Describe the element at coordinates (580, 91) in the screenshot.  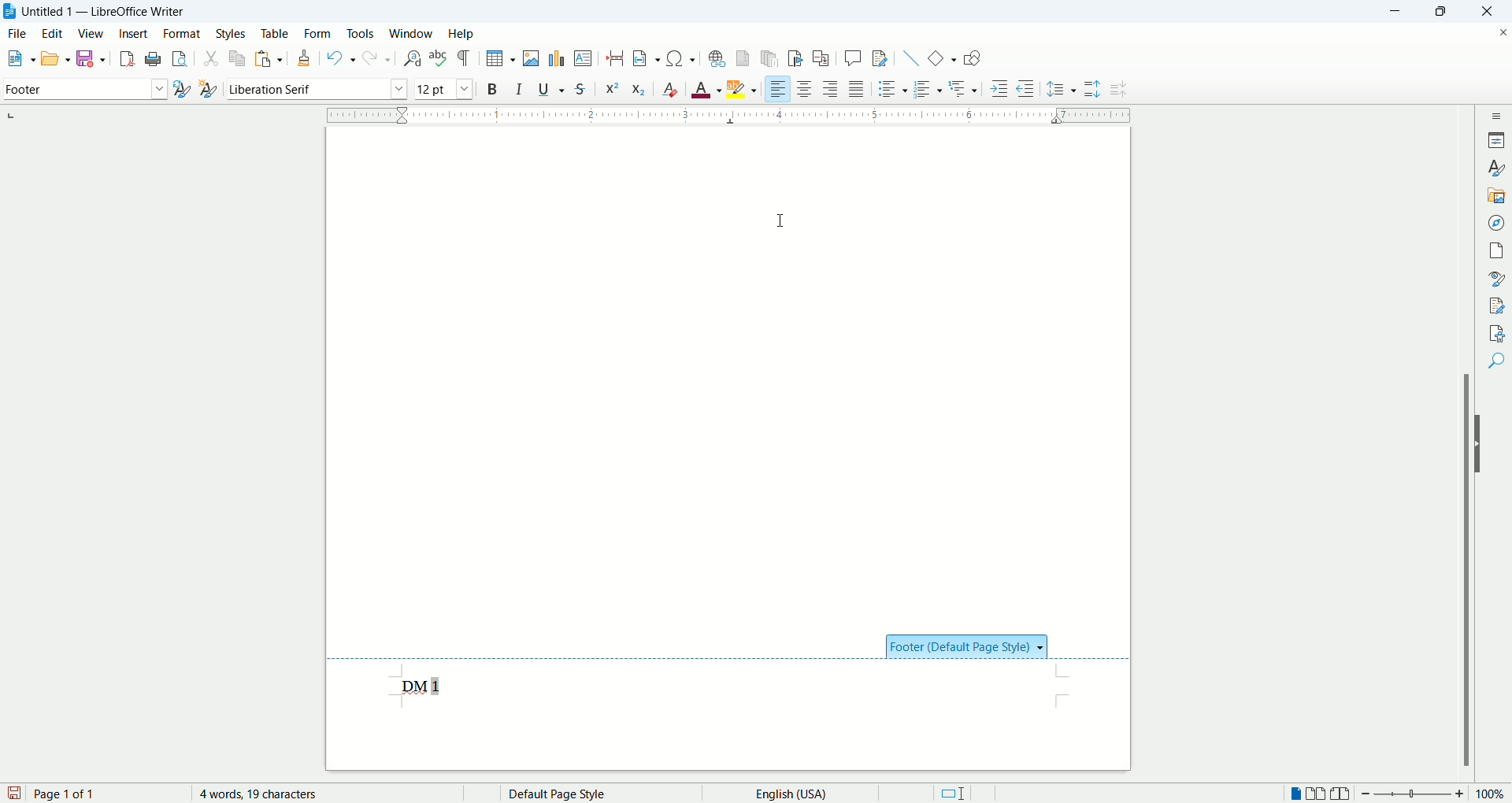
I see `strikethrough` at that location.